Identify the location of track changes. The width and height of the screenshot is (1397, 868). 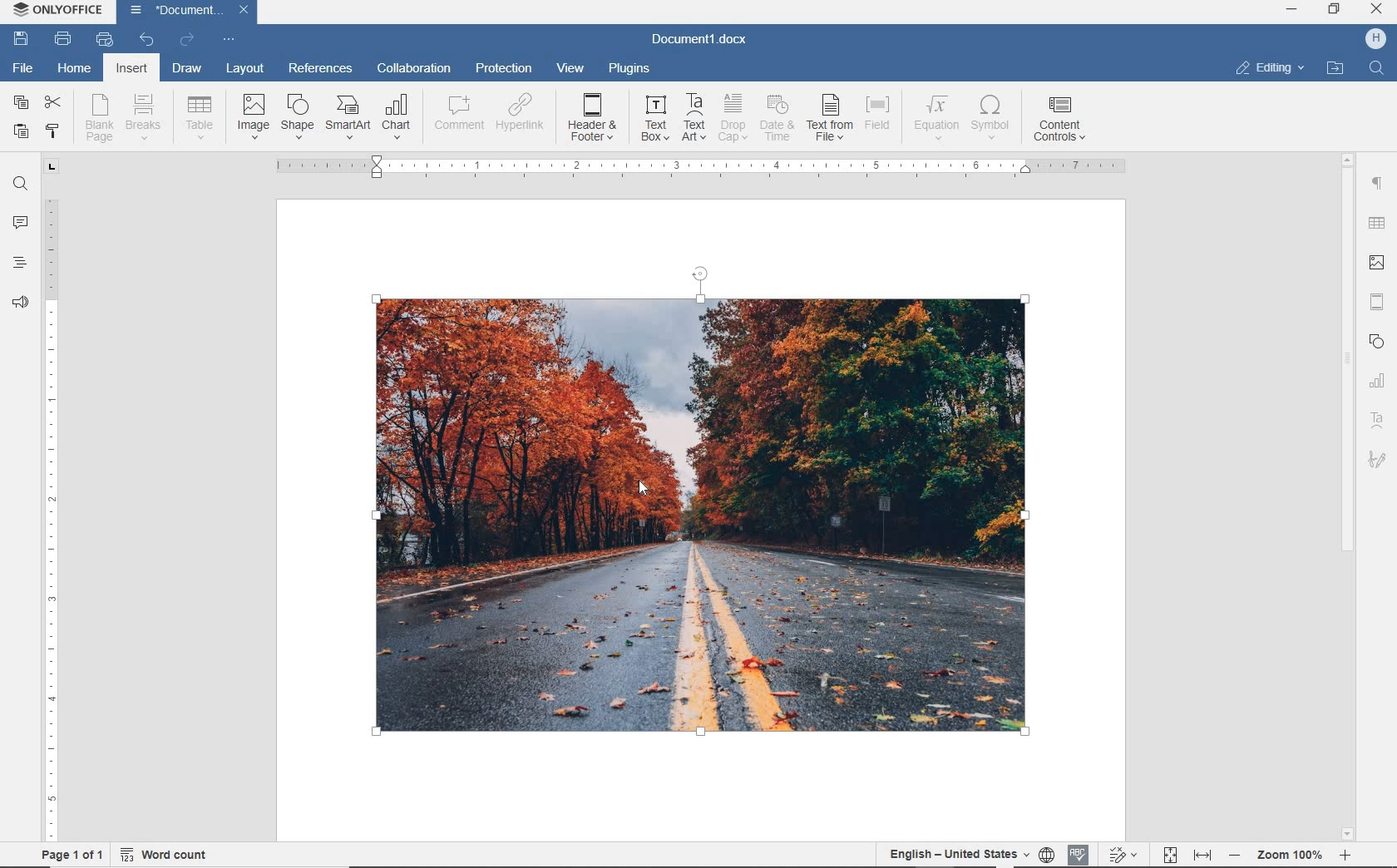
(1127, 856).